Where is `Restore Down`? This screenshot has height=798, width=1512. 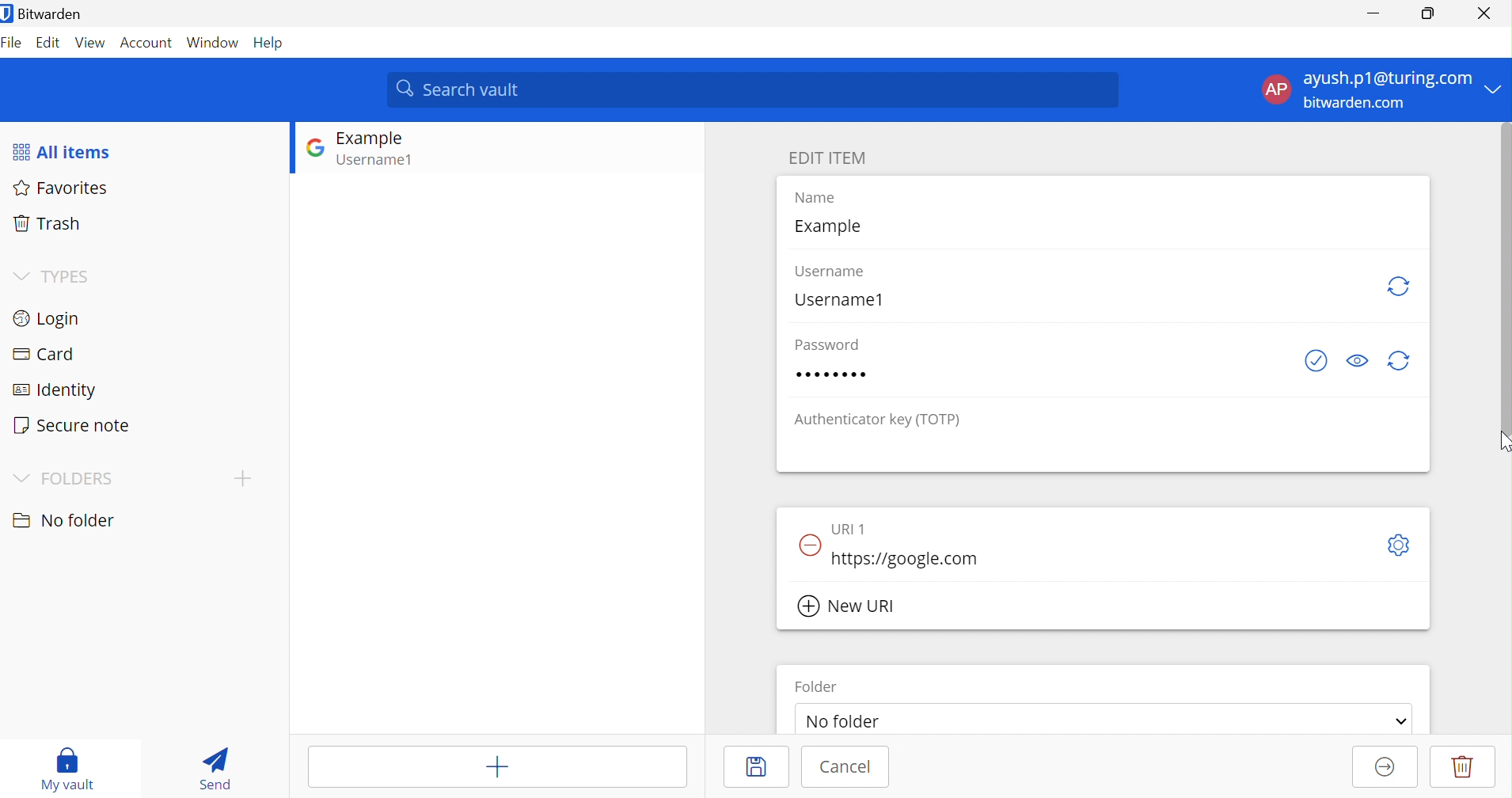 Restore Down is located at coordinates (1429, 13).